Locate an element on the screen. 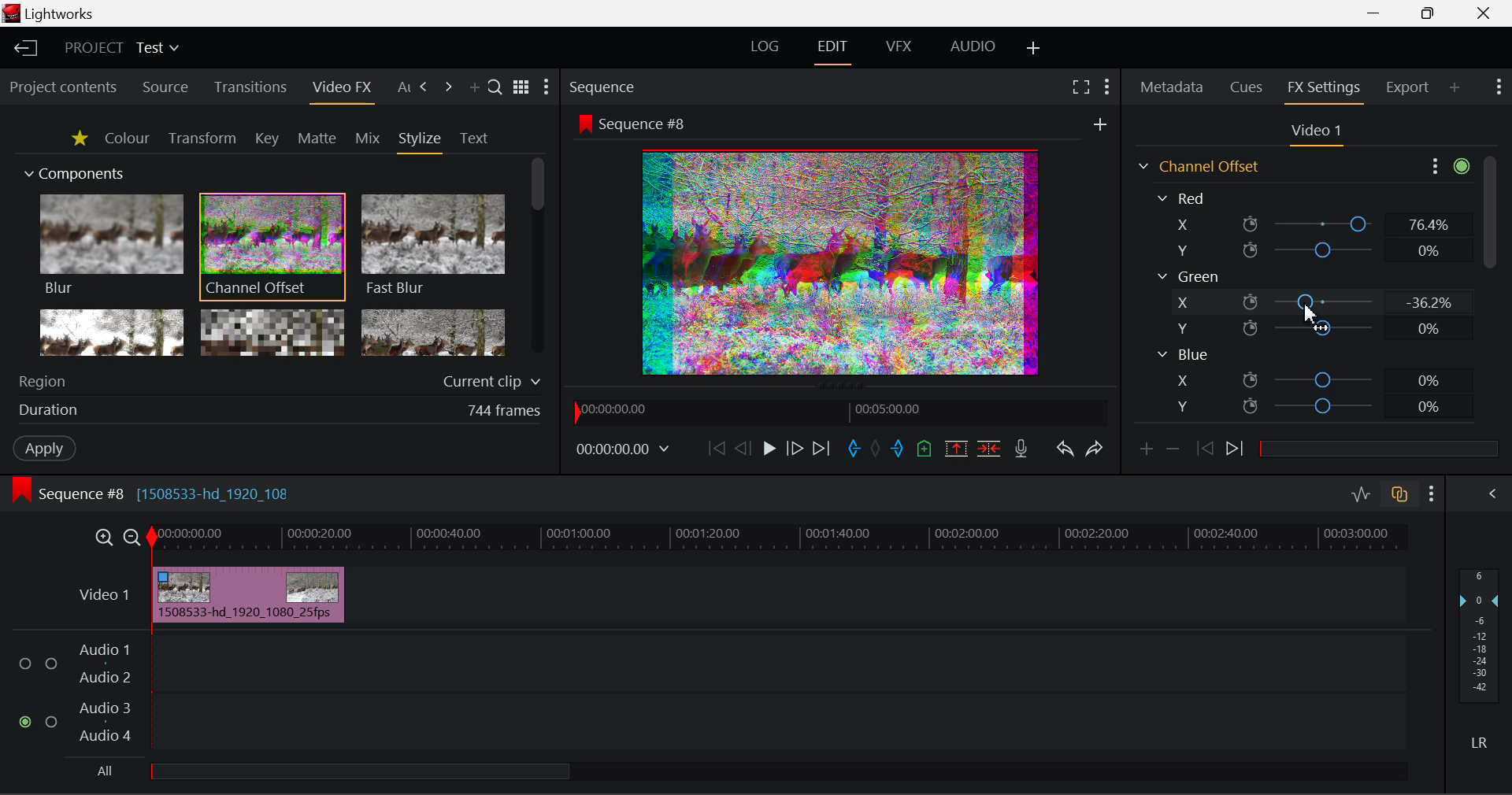 The height and width of the screenshot is (795, 1512). Show Settings is located at coordinates (1498, 87).